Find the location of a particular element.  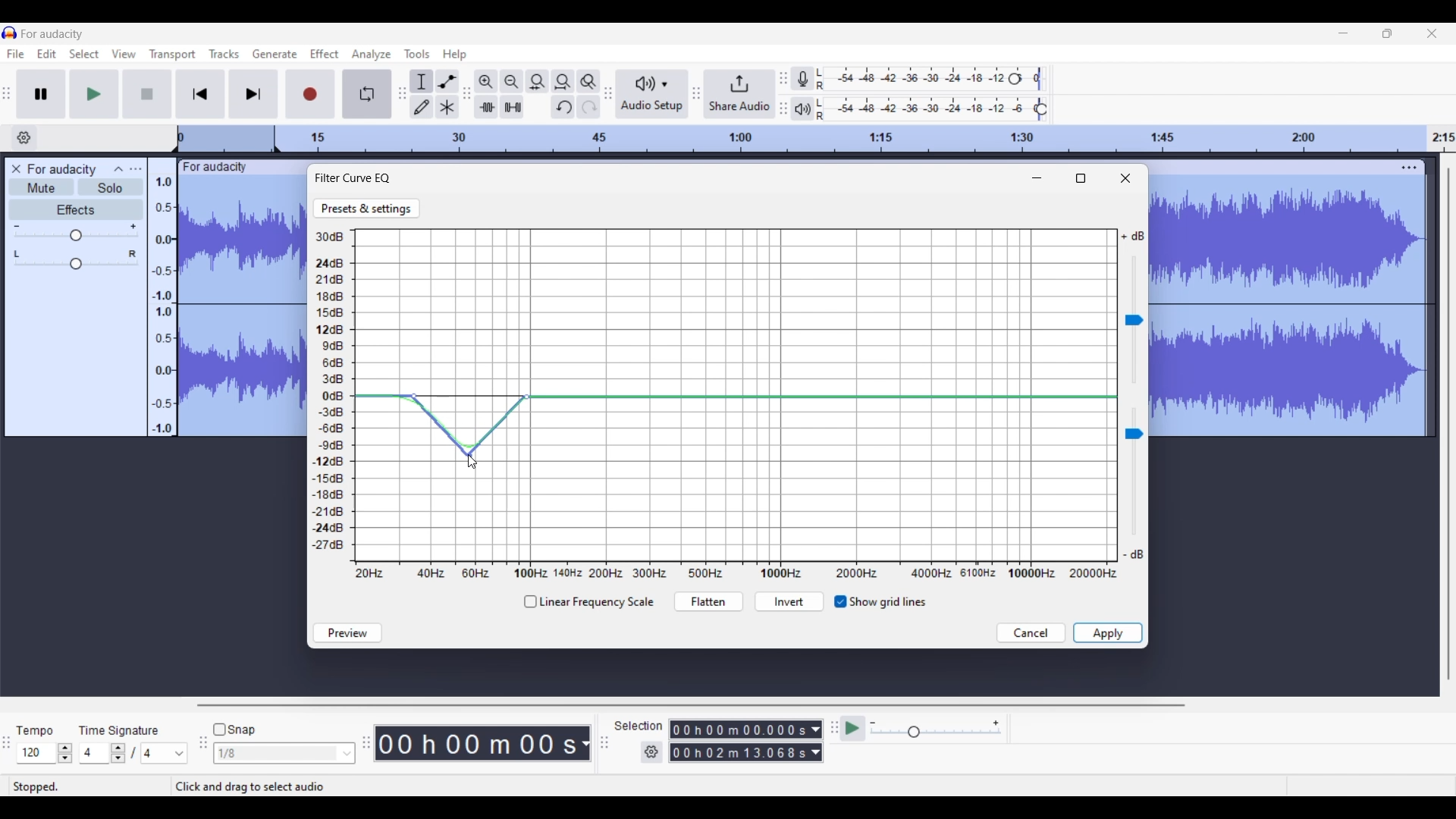

Selection duration measurement is located at coordinates (815, 741).